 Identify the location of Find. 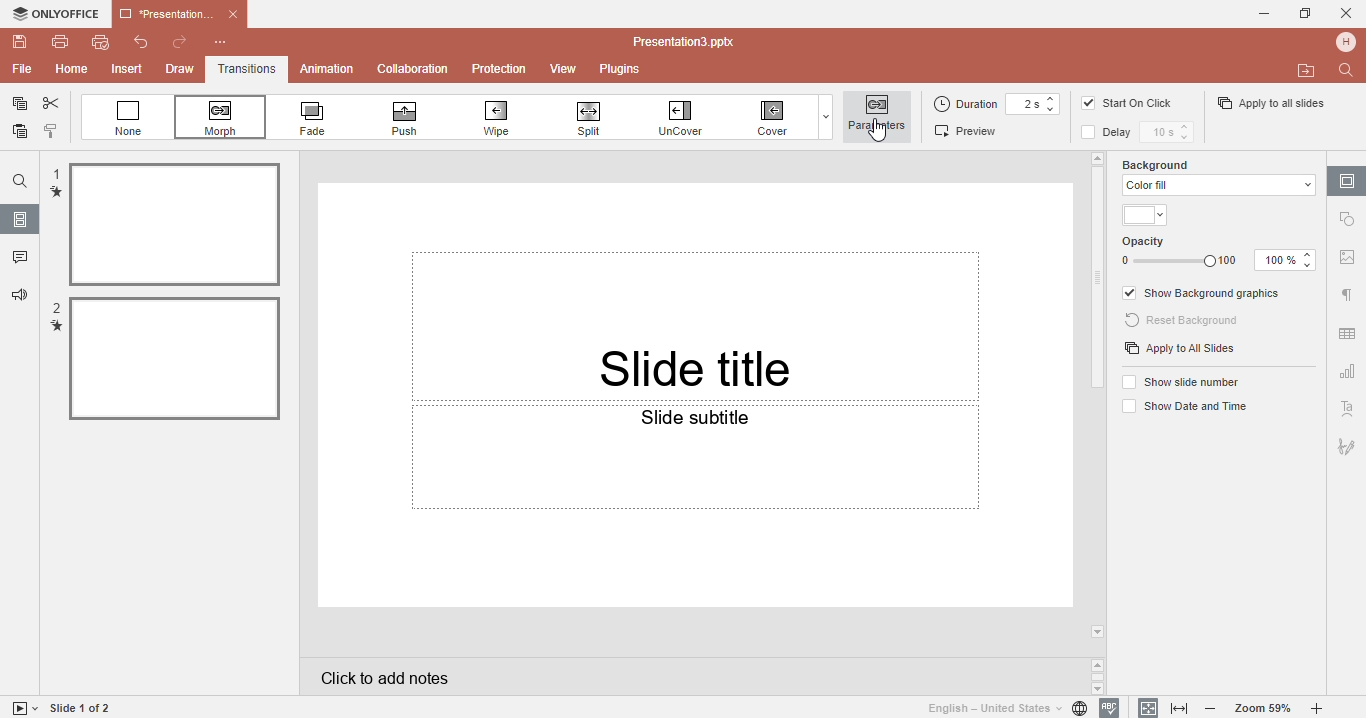
(1349, 70).